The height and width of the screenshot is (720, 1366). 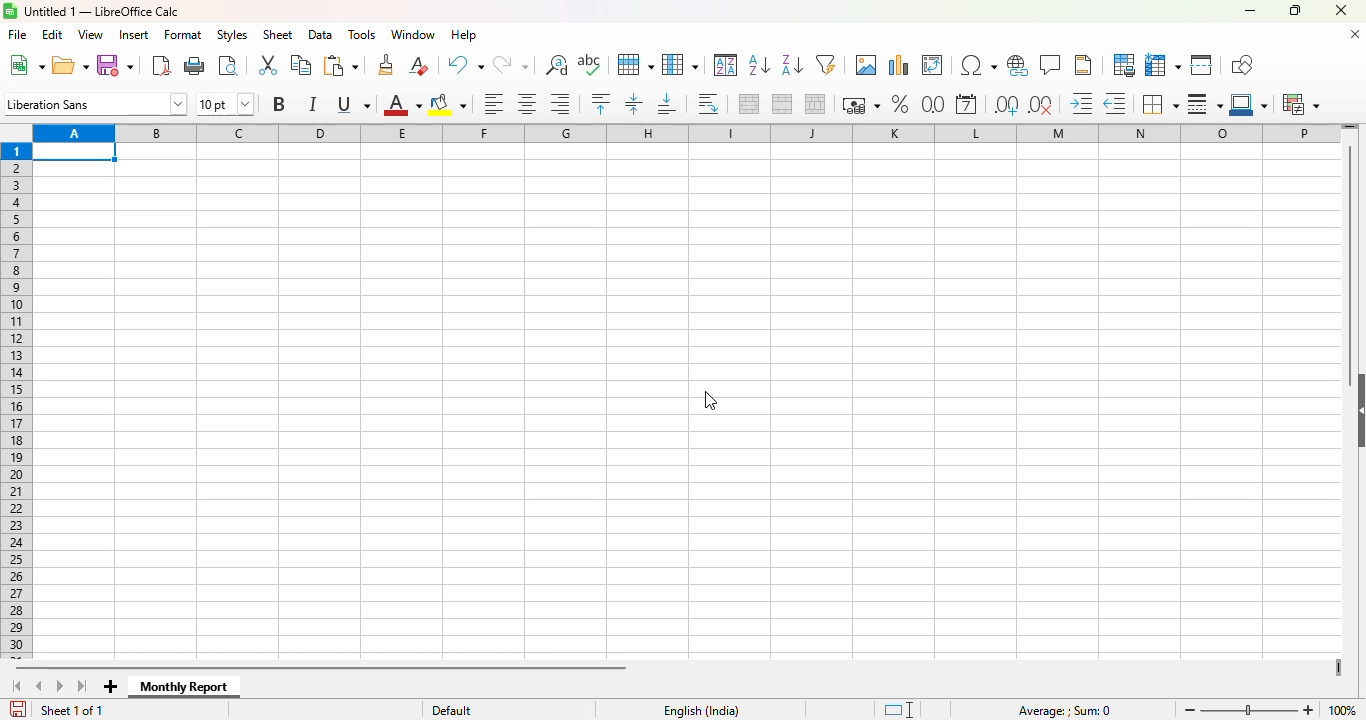 I want to click on edit, so click(x=53, y=34).